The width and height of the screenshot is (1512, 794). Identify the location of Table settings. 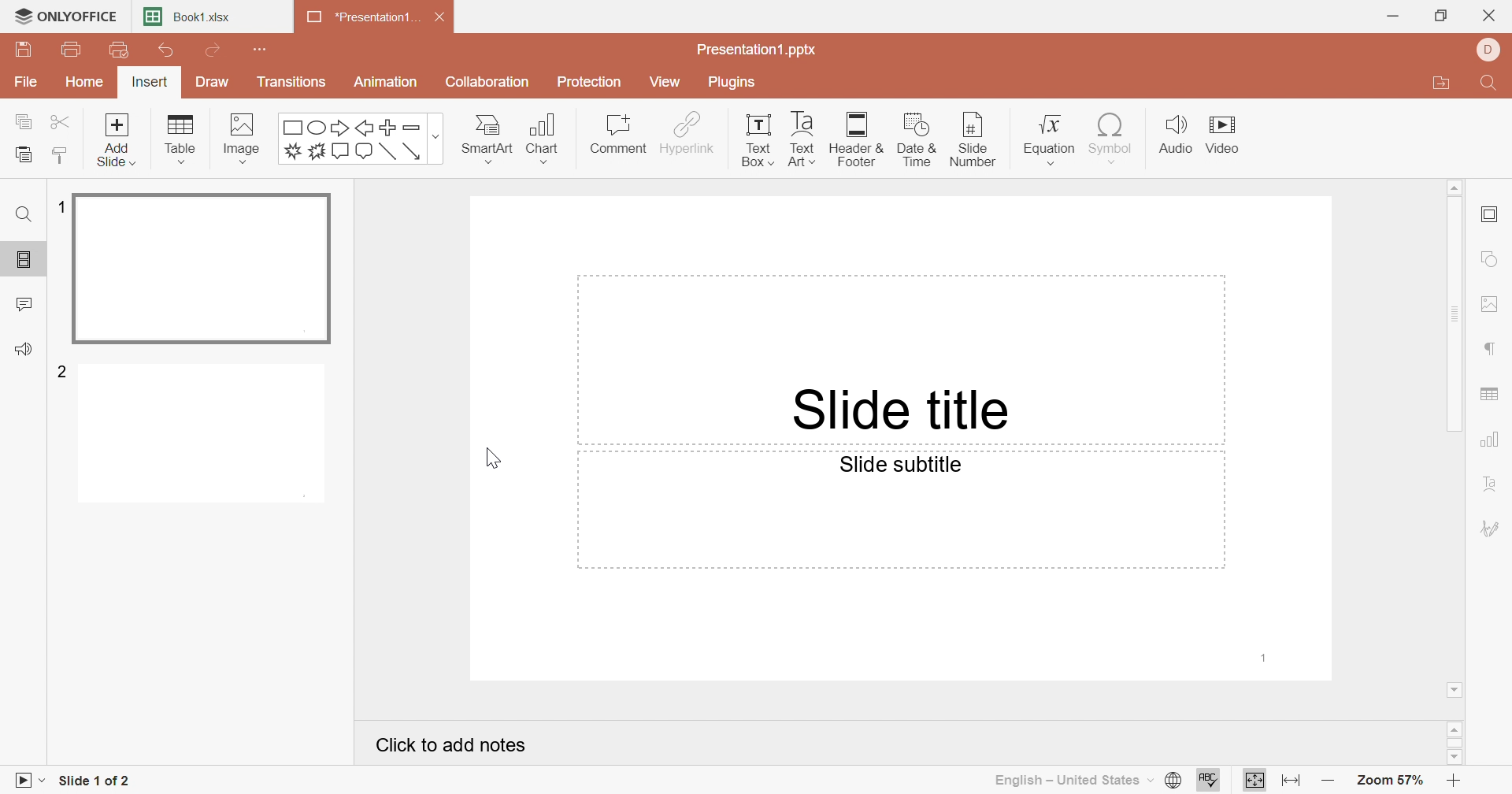
(1491, 396).